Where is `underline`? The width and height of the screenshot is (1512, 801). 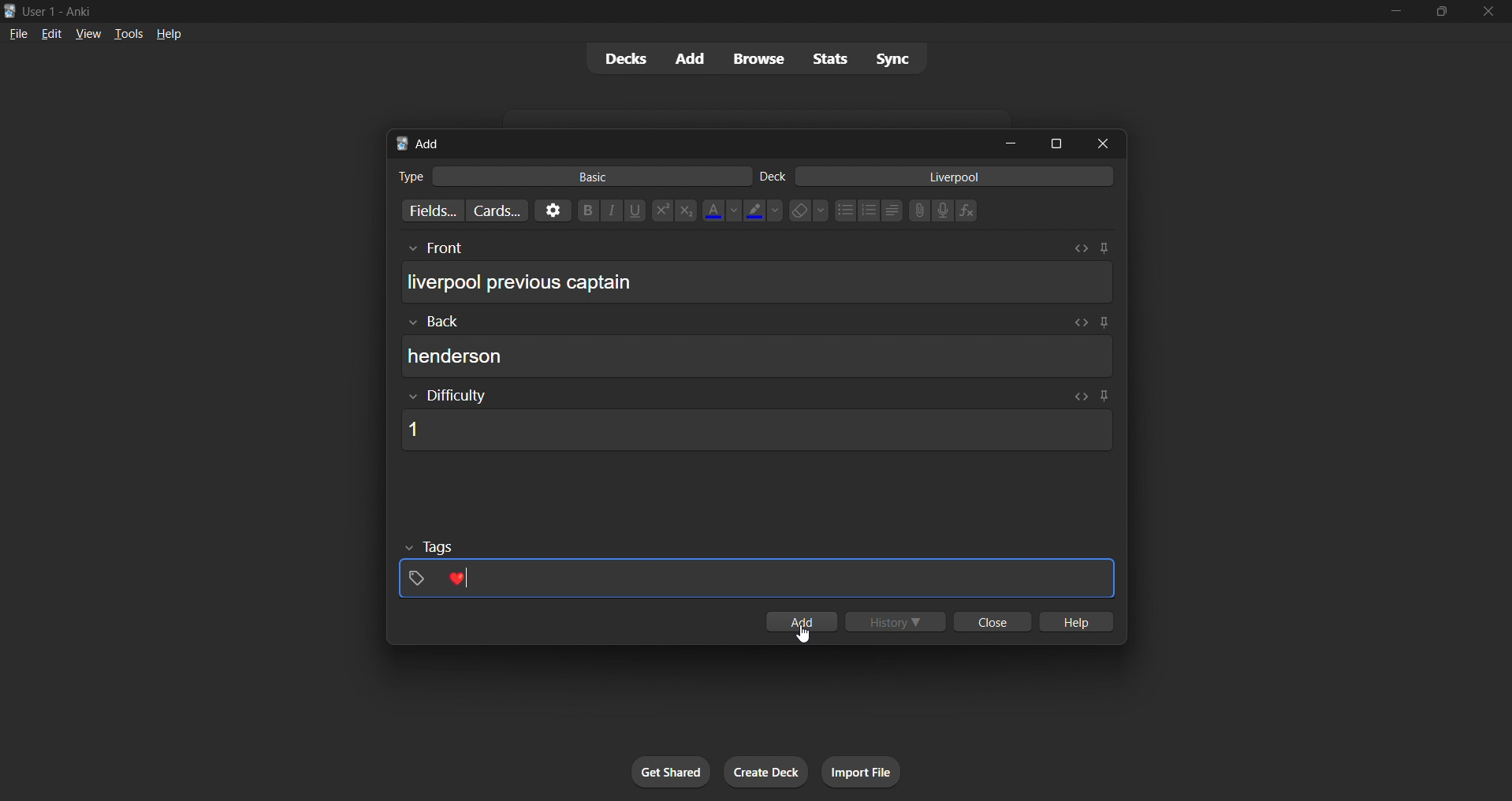
underline is located at coordinates (637, 210).